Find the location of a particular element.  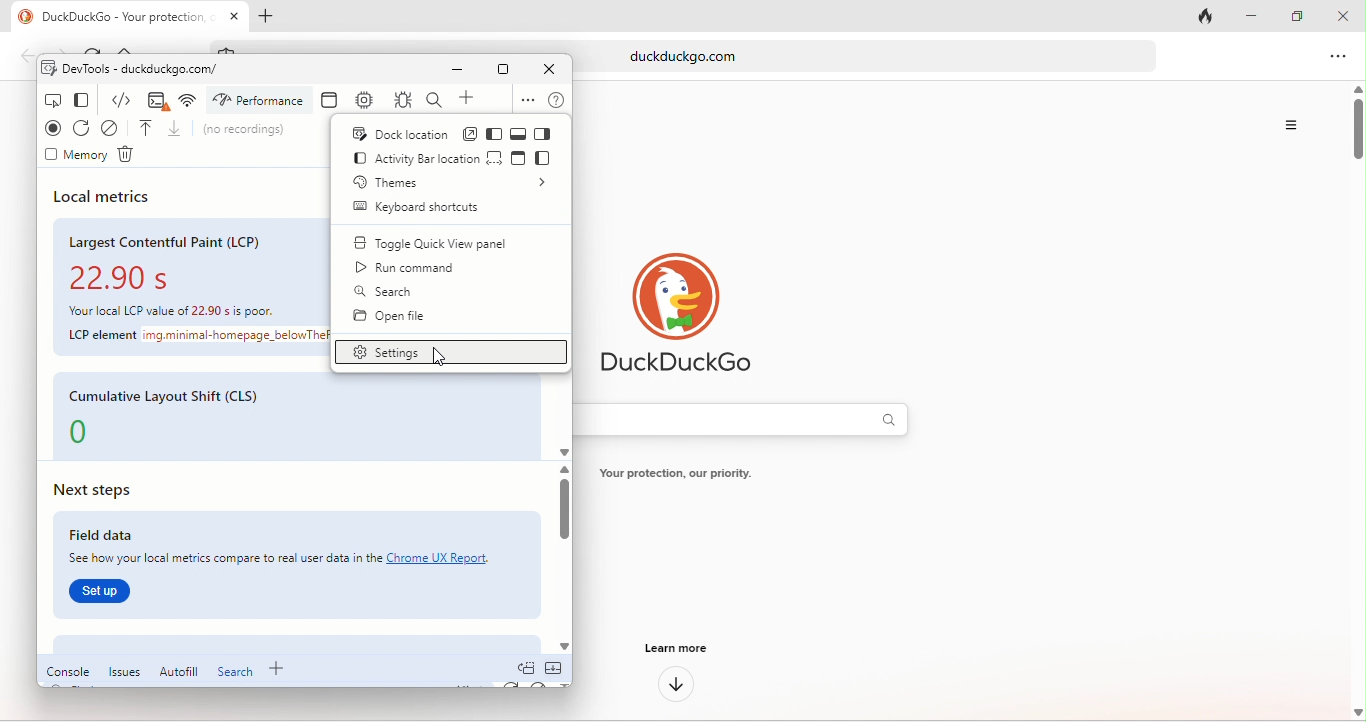

duckduck go is located at coordinates (689, 361).